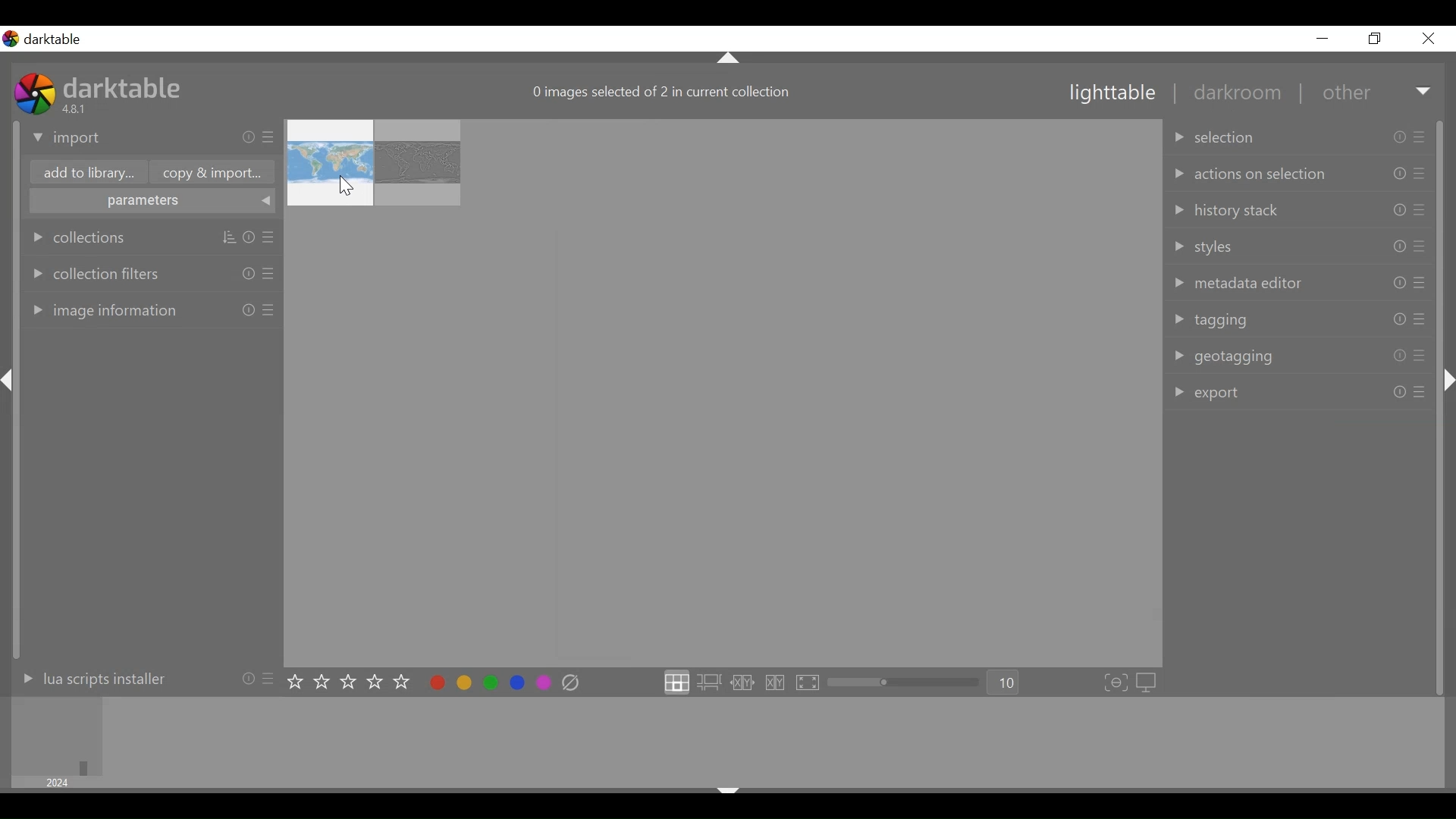  What do you see at coordinates (1005, 682) in the screenshot?
I see `Zoom factor` at bounding box center [1005, 682].